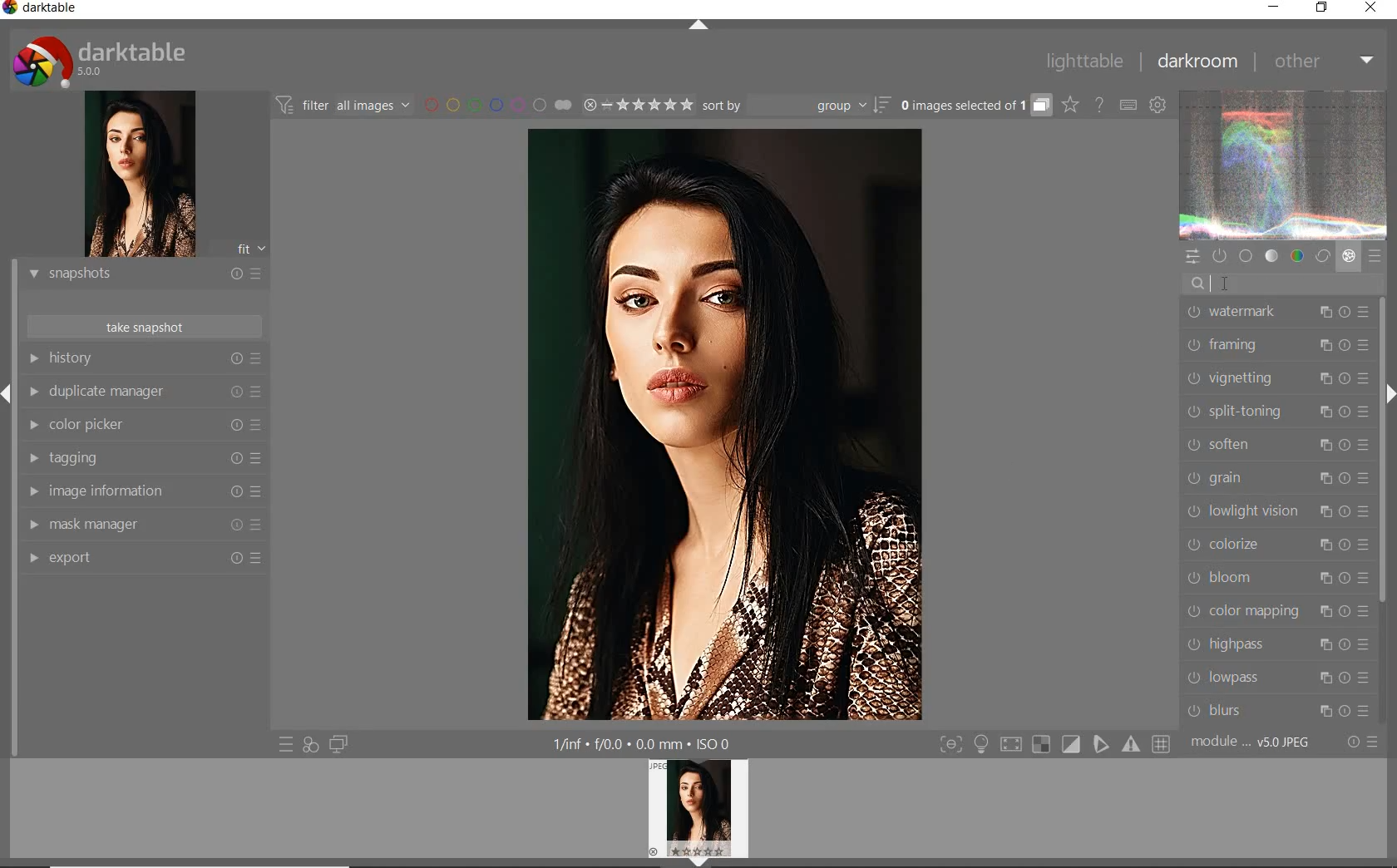  Describe the element at coordinates (143, 525) in the screenshot. I see `MAASK MANAGER` at that location.